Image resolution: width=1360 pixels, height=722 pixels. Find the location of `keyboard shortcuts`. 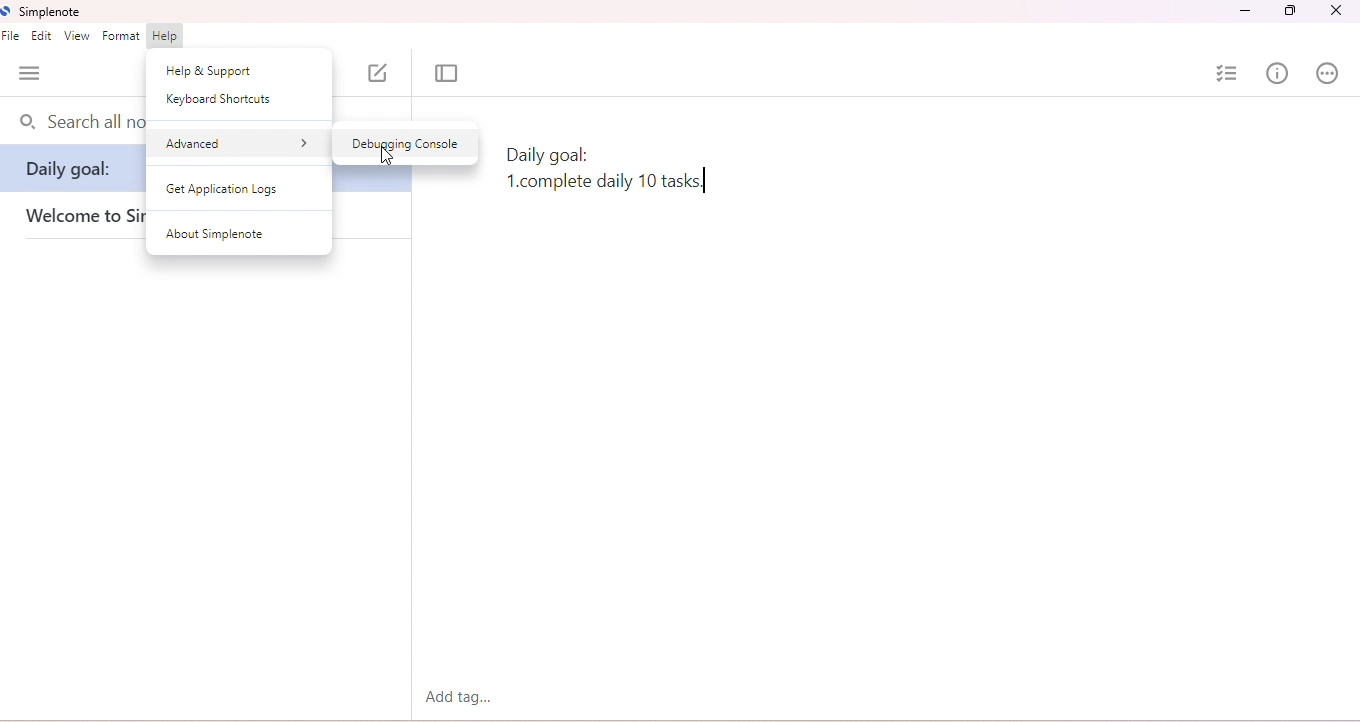

keyboard shortcuts is located at coordinates (220, 100).